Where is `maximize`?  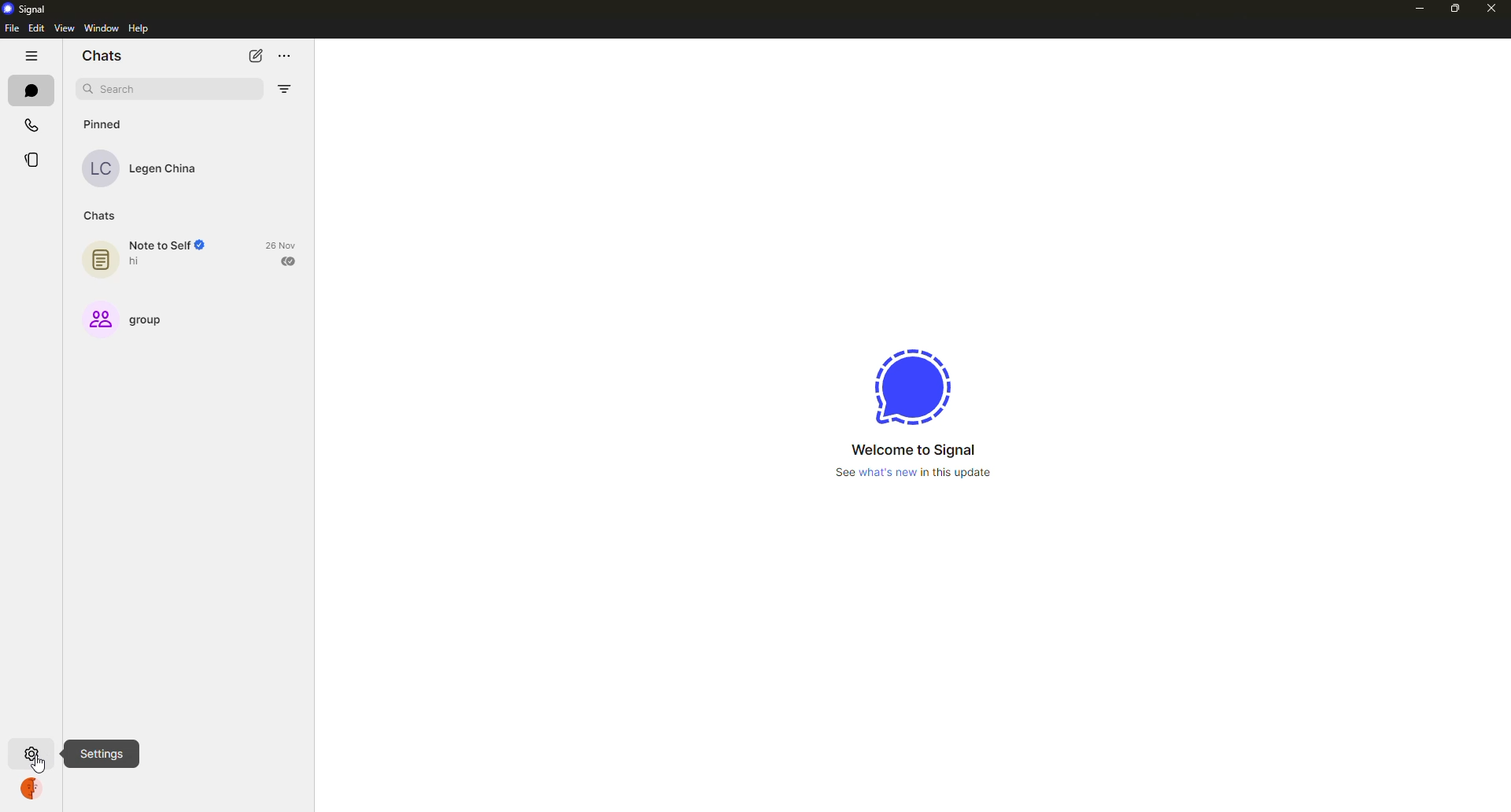 maximize is located at coordinates (1453, 9).